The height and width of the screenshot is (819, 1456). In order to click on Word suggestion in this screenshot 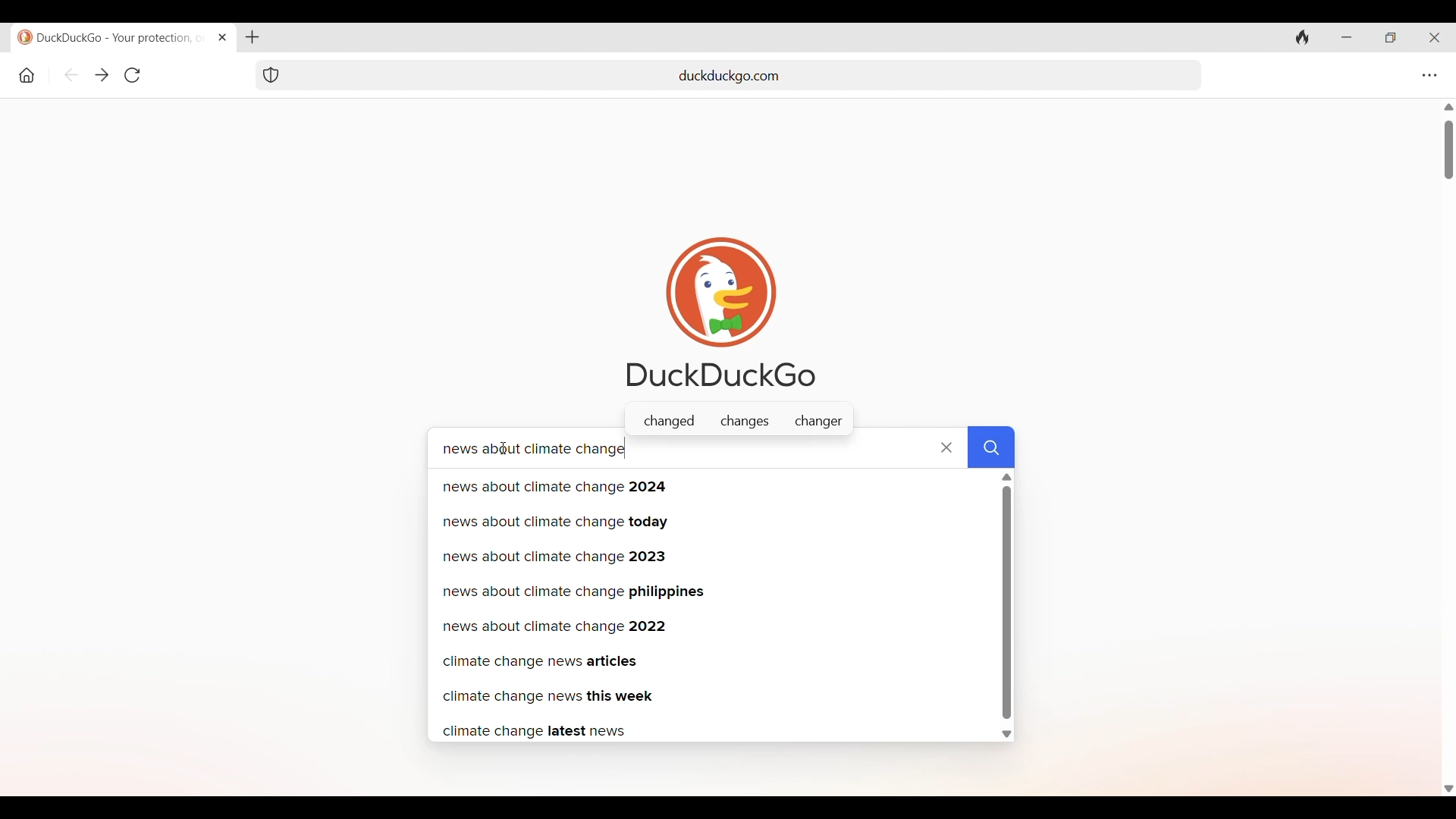, I will do `click(739, 422)`.